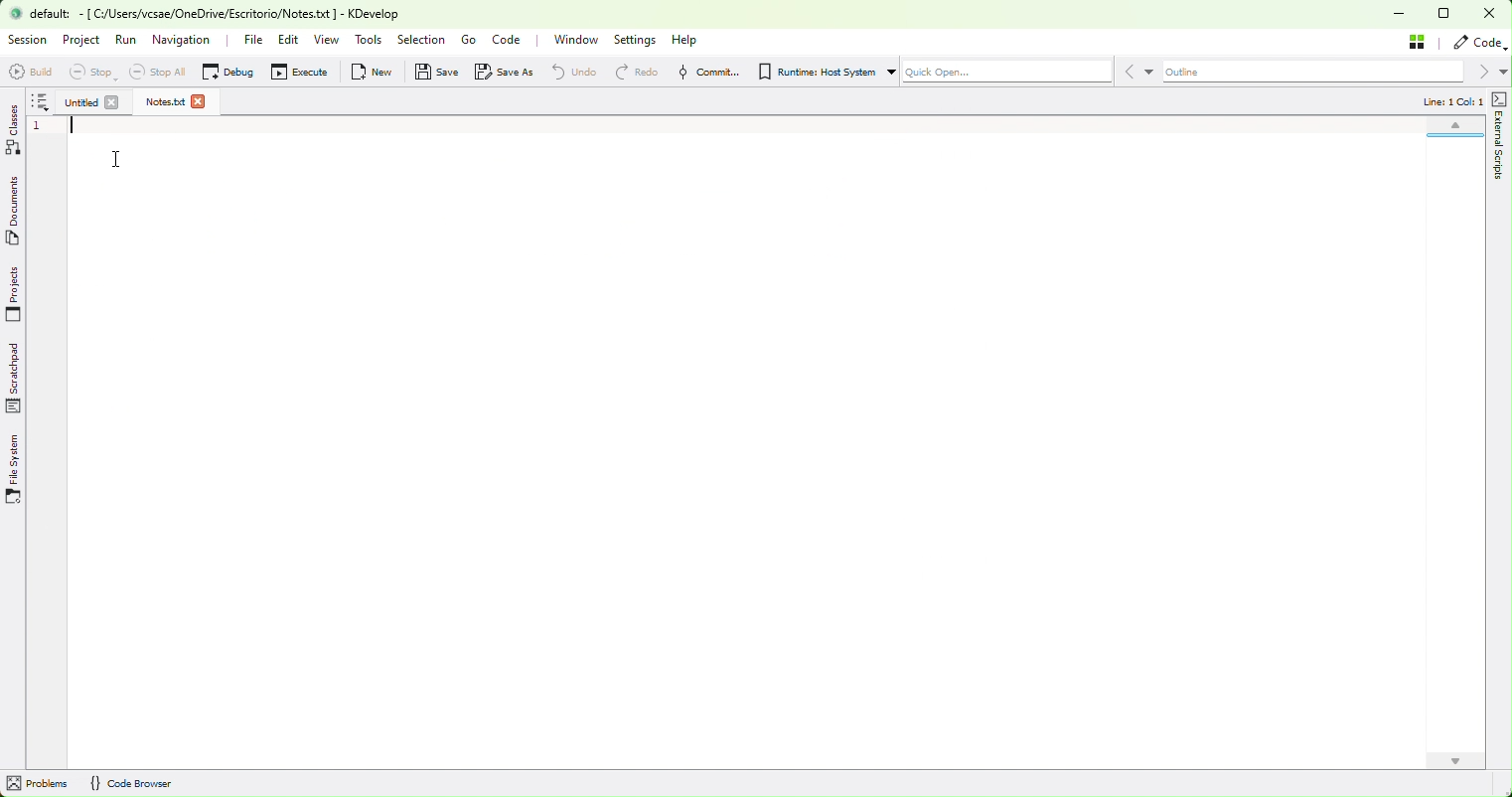  I want to click on scroll down, so click(1455, 761).